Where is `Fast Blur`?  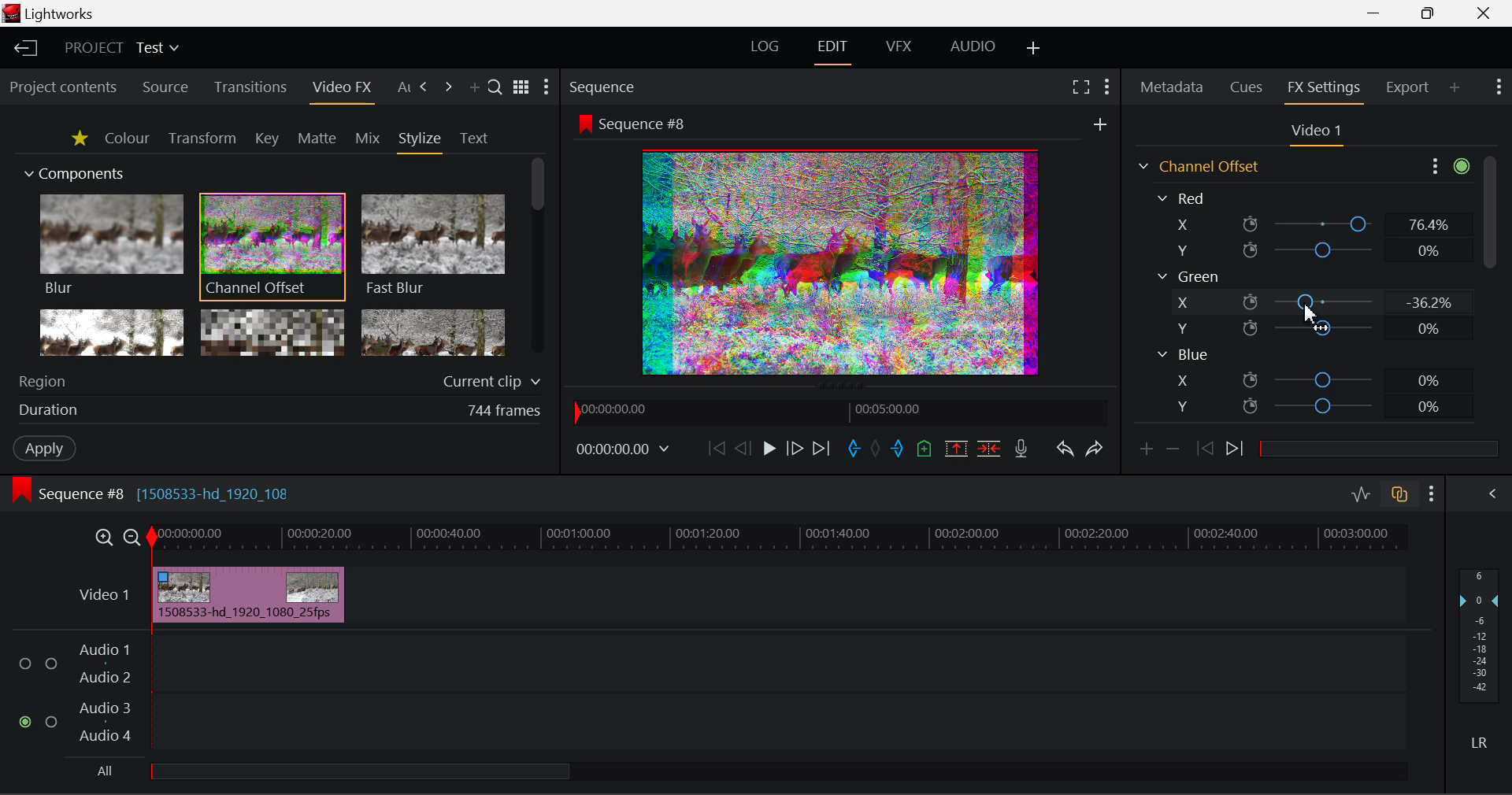
Fast Blur is located at coordinates (434, 246).